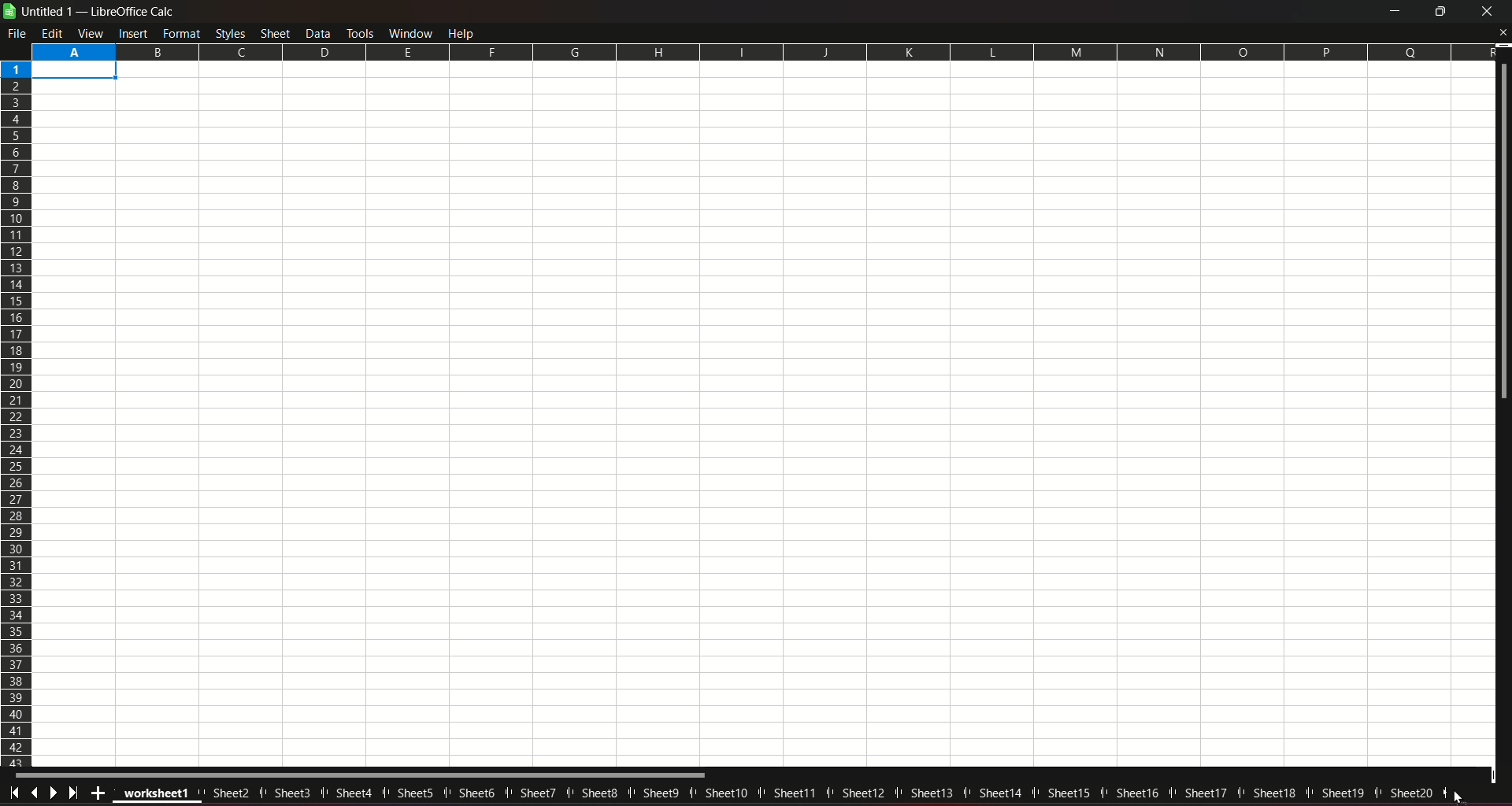 The image size is (1512, 806). What do you see at coordinates (55, 792) in the screenshot?
I see `next sheet` at bounding box center [55, 792].